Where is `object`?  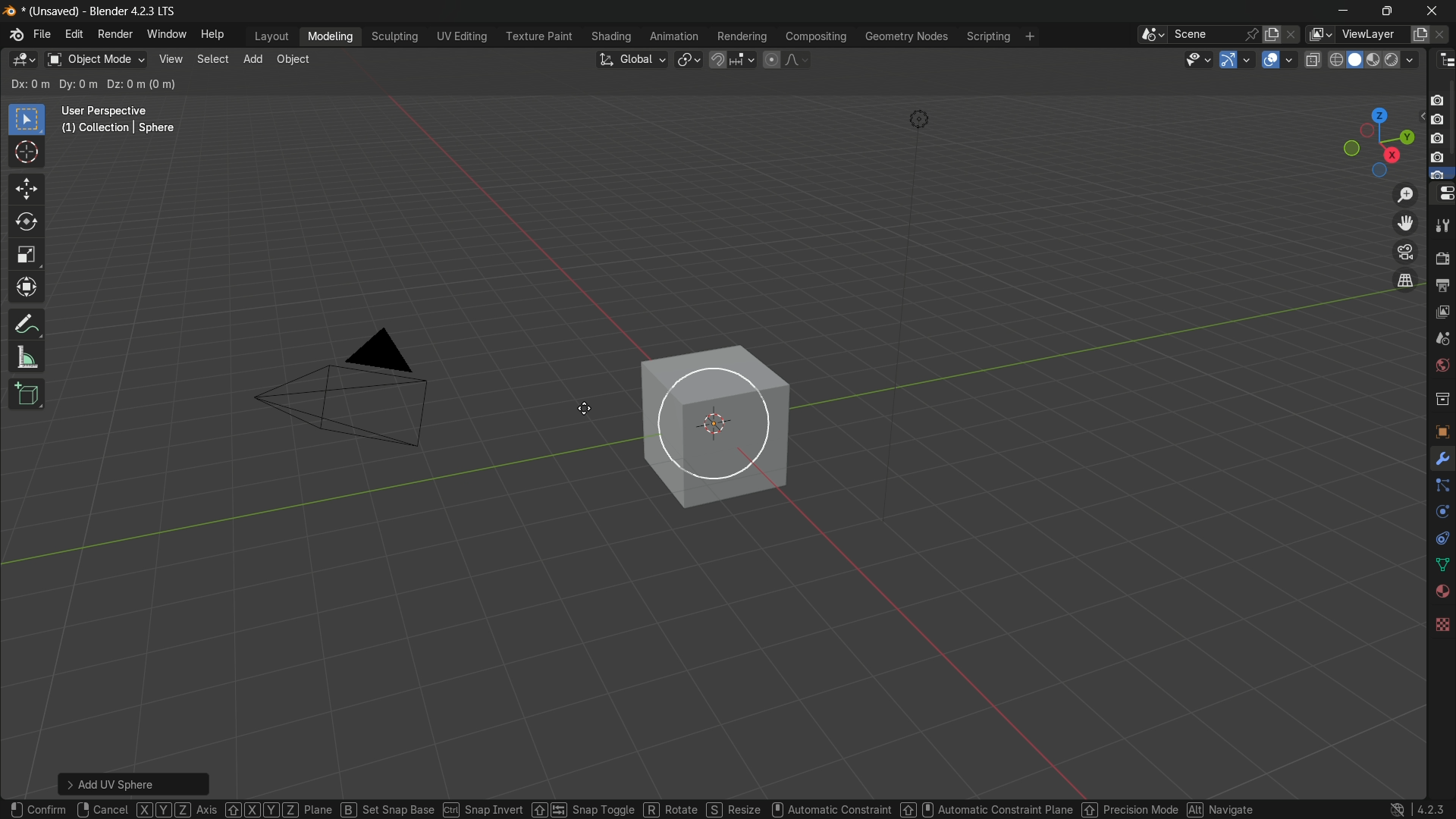
object is located at coordinates (293, 61).